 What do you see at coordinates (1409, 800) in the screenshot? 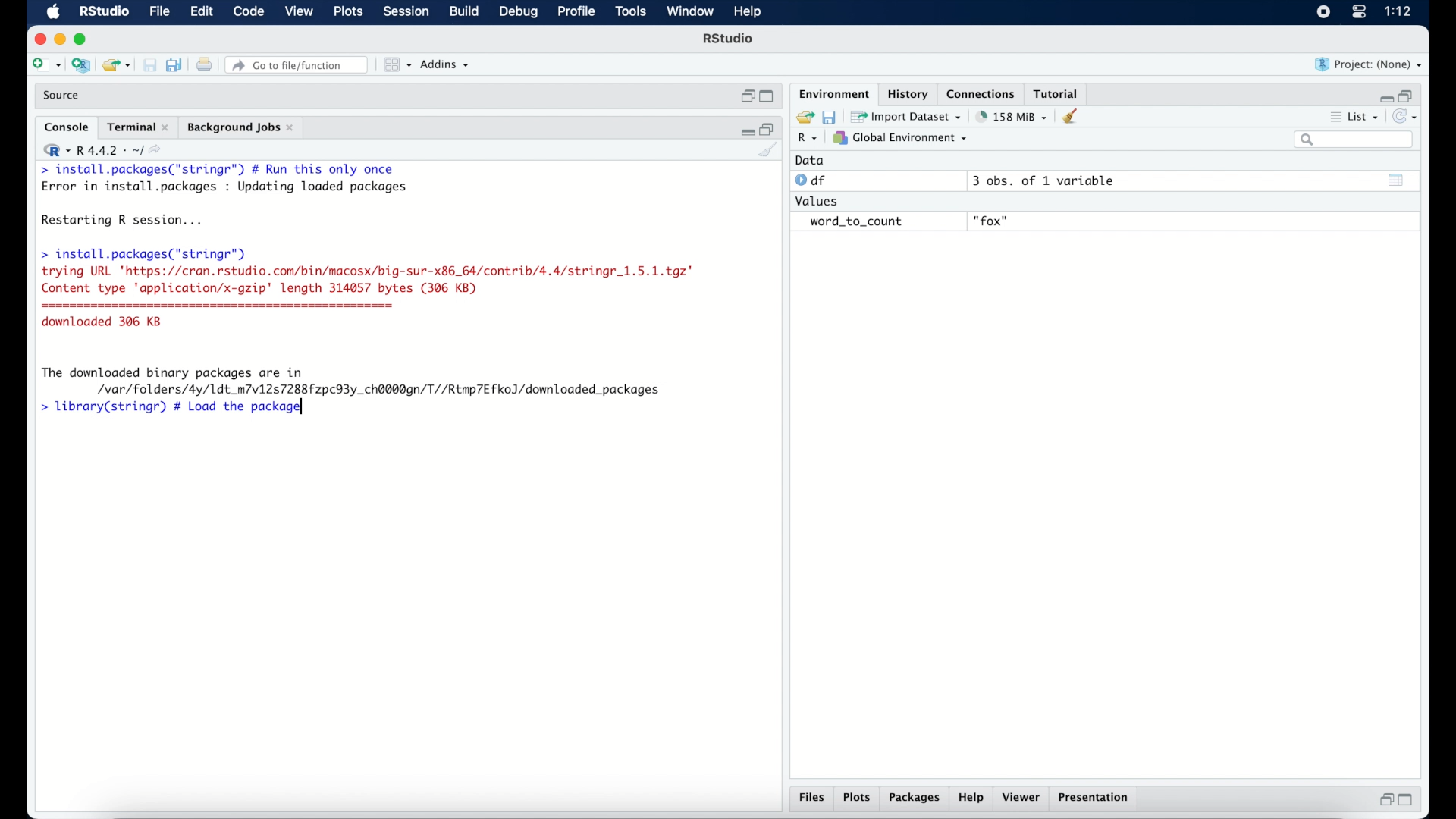
I see `maximize` at bounding box center [1409, 800].